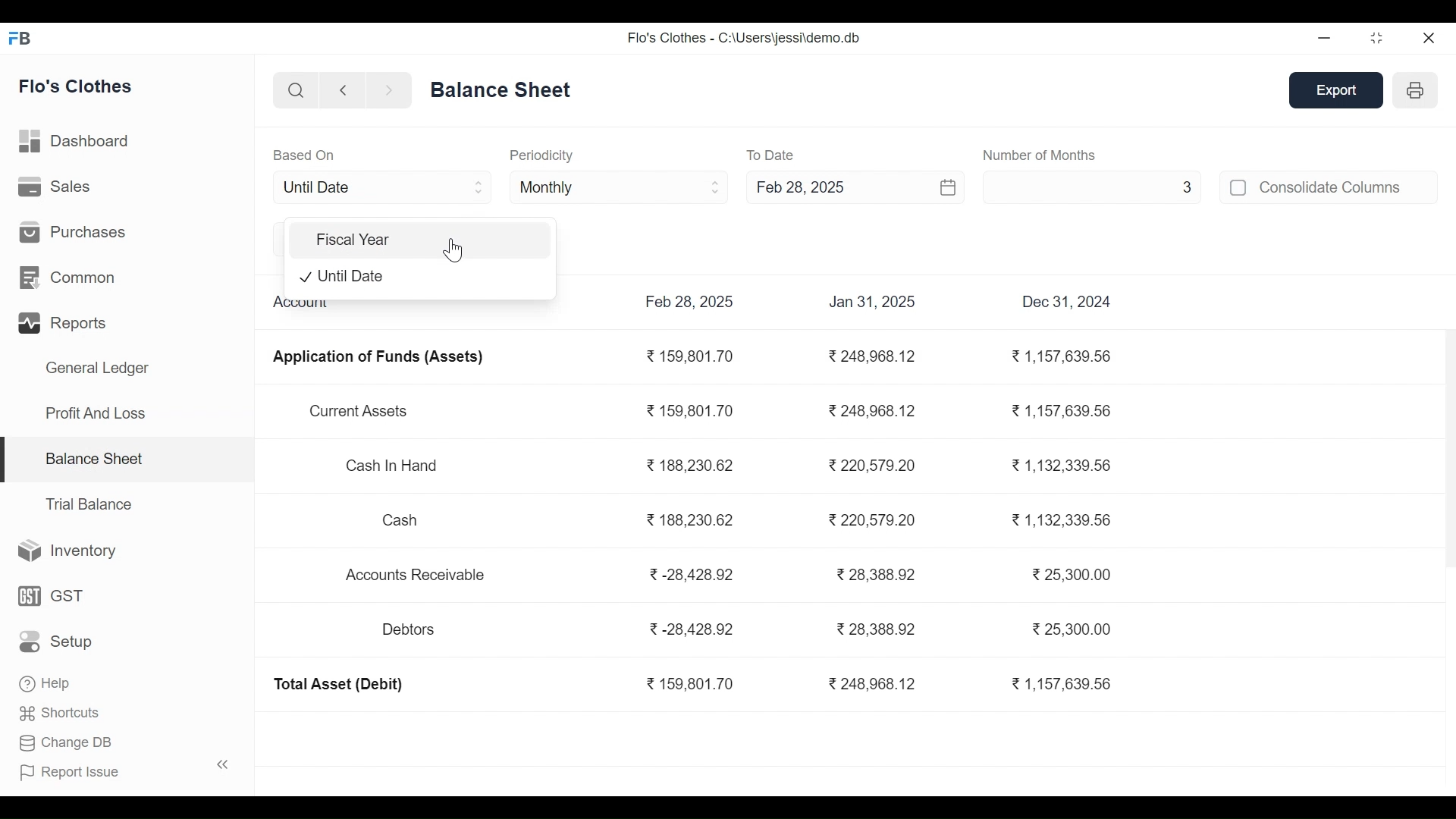 Image resolution: width=1456 pixels, height=819 pixels. What do you see at coordinates (89, 504) in the screenshot?
I see `Trial Balance` at bounding box center [89, 504].